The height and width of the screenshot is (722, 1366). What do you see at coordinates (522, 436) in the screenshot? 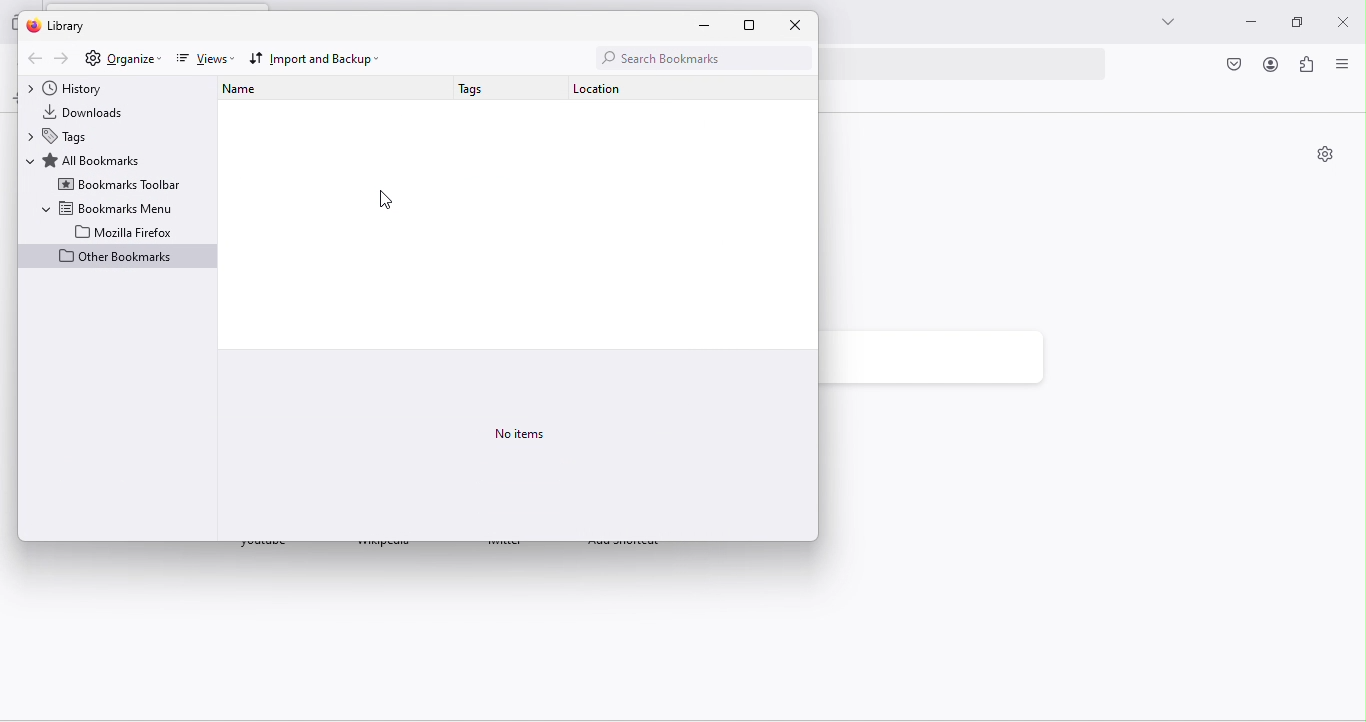
I see `no items` at bounding box center [522, 436].